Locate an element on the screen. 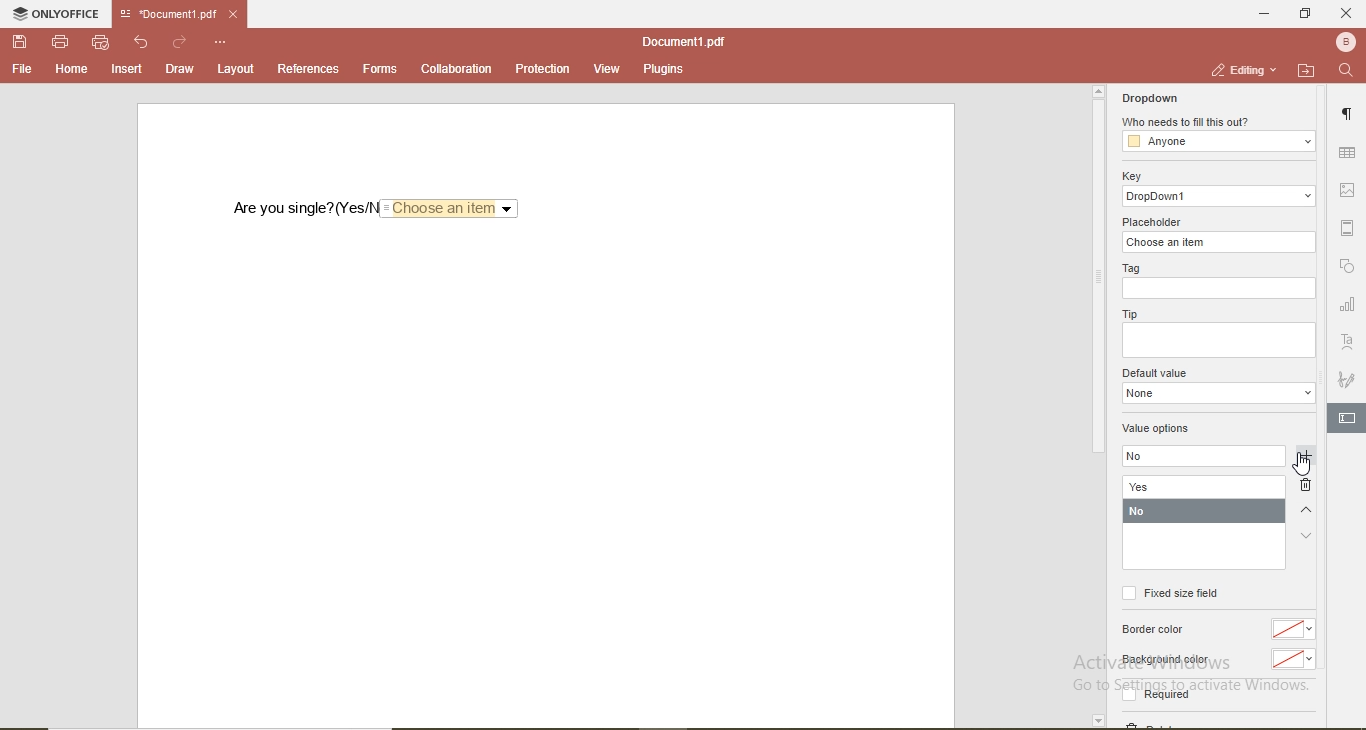 The height and width of the screenshot is (730, 1366). view is located at coordinates (607, 69).